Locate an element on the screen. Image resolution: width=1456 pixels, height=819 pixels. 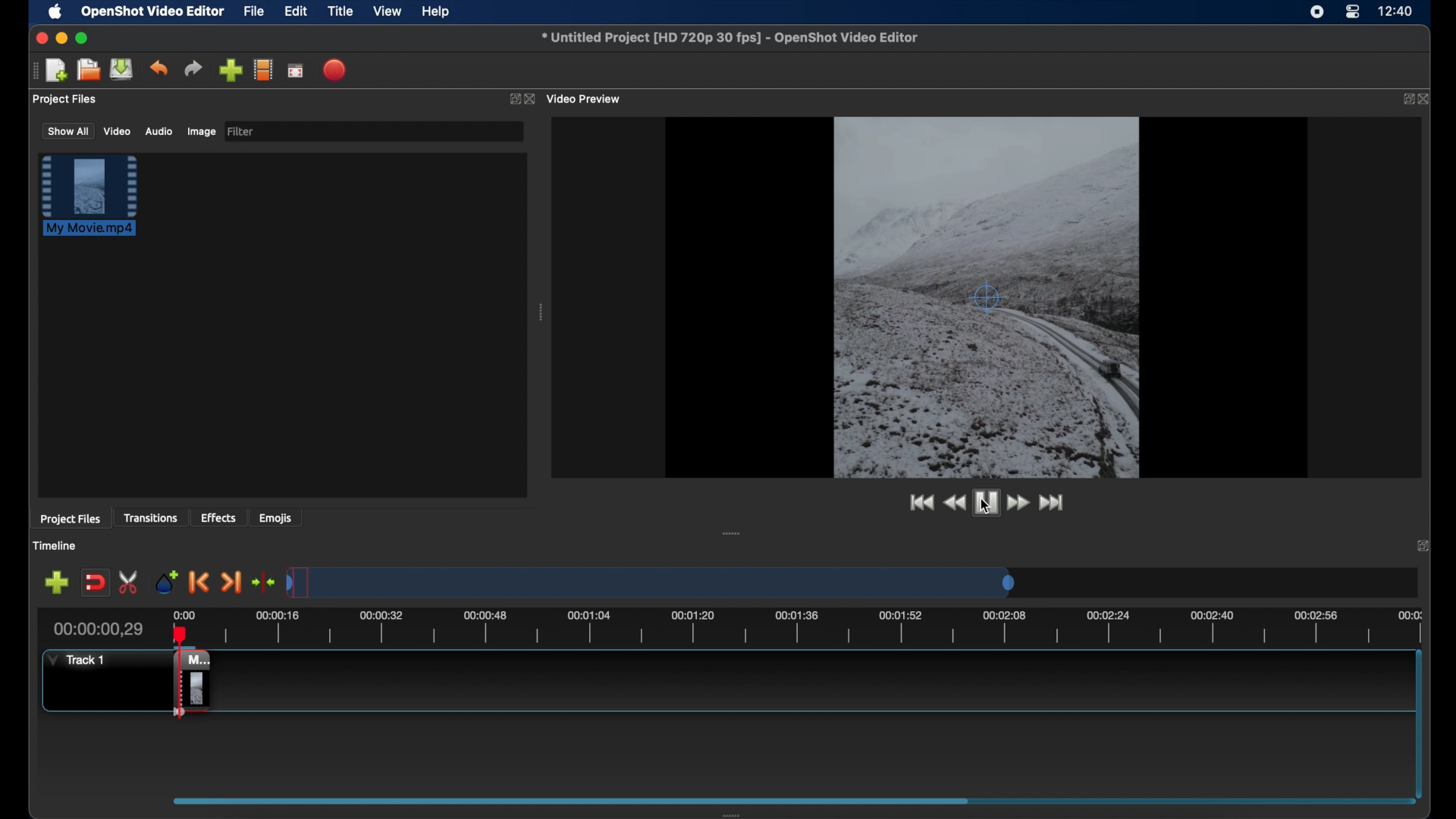
effects is located at coordinates (218, 517).